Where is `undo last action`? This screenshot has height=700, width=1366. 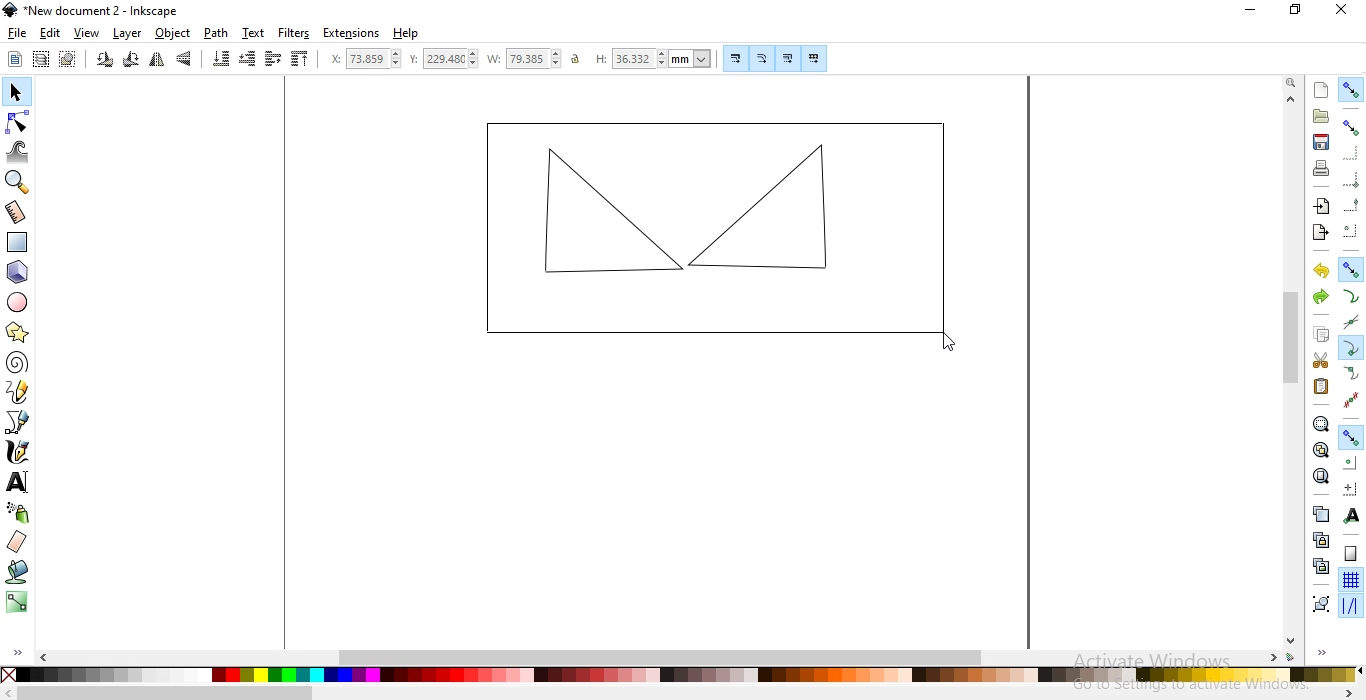 undo last action is located at coordinates (1323, 272).